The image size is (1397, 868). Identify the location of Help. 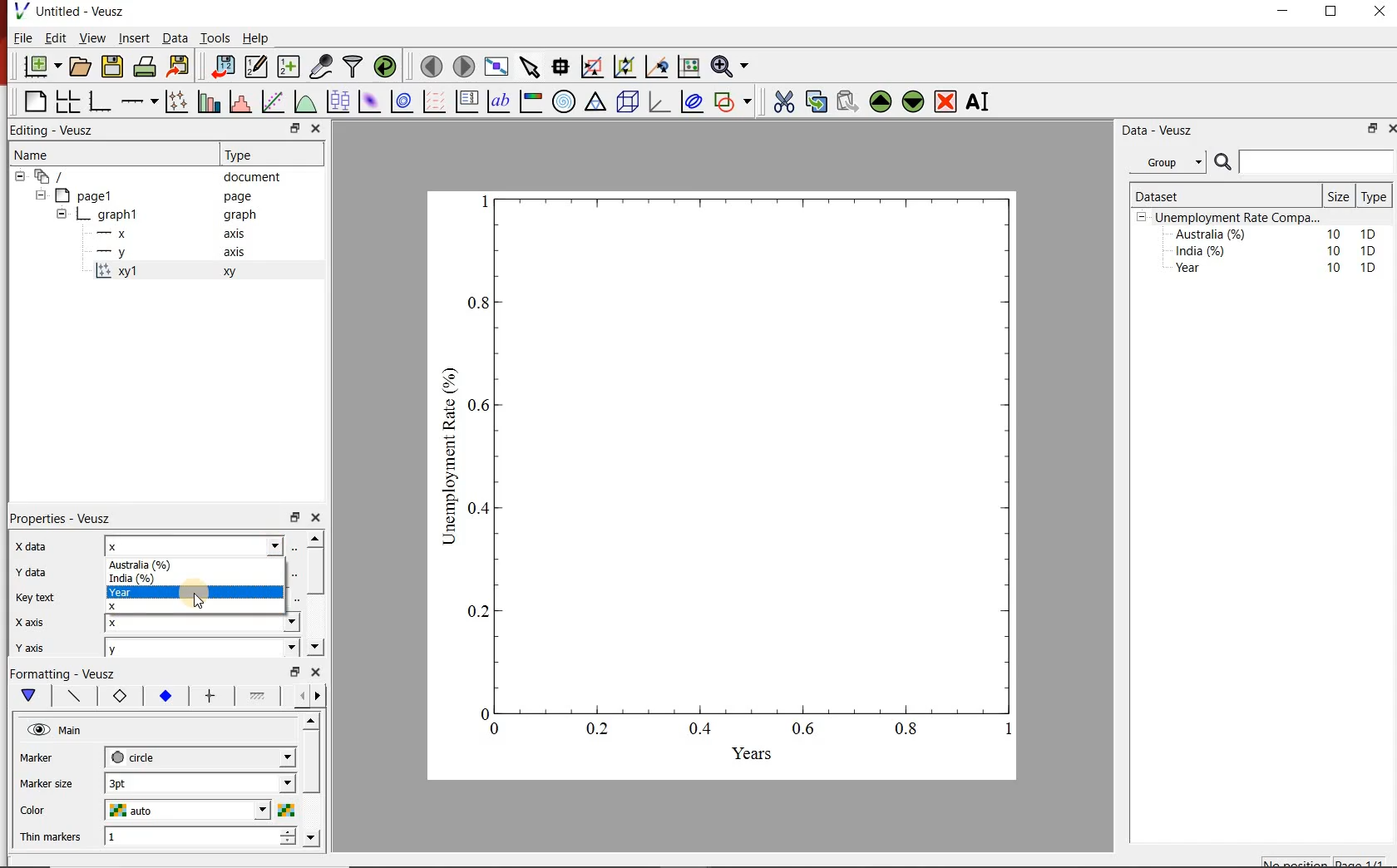
(256, 38).